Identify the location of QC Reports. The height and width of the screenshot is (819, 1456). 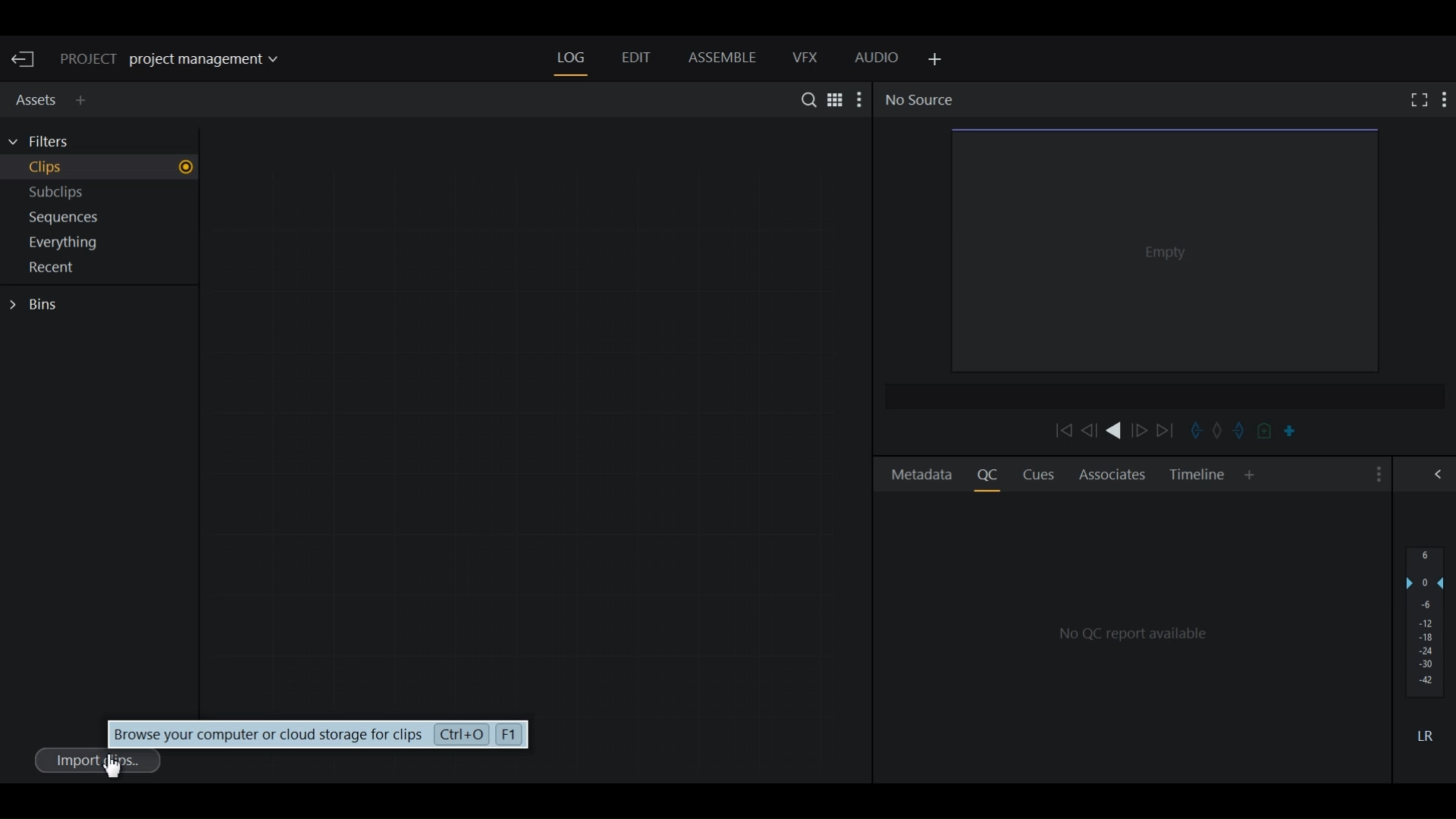
(1136, 632).